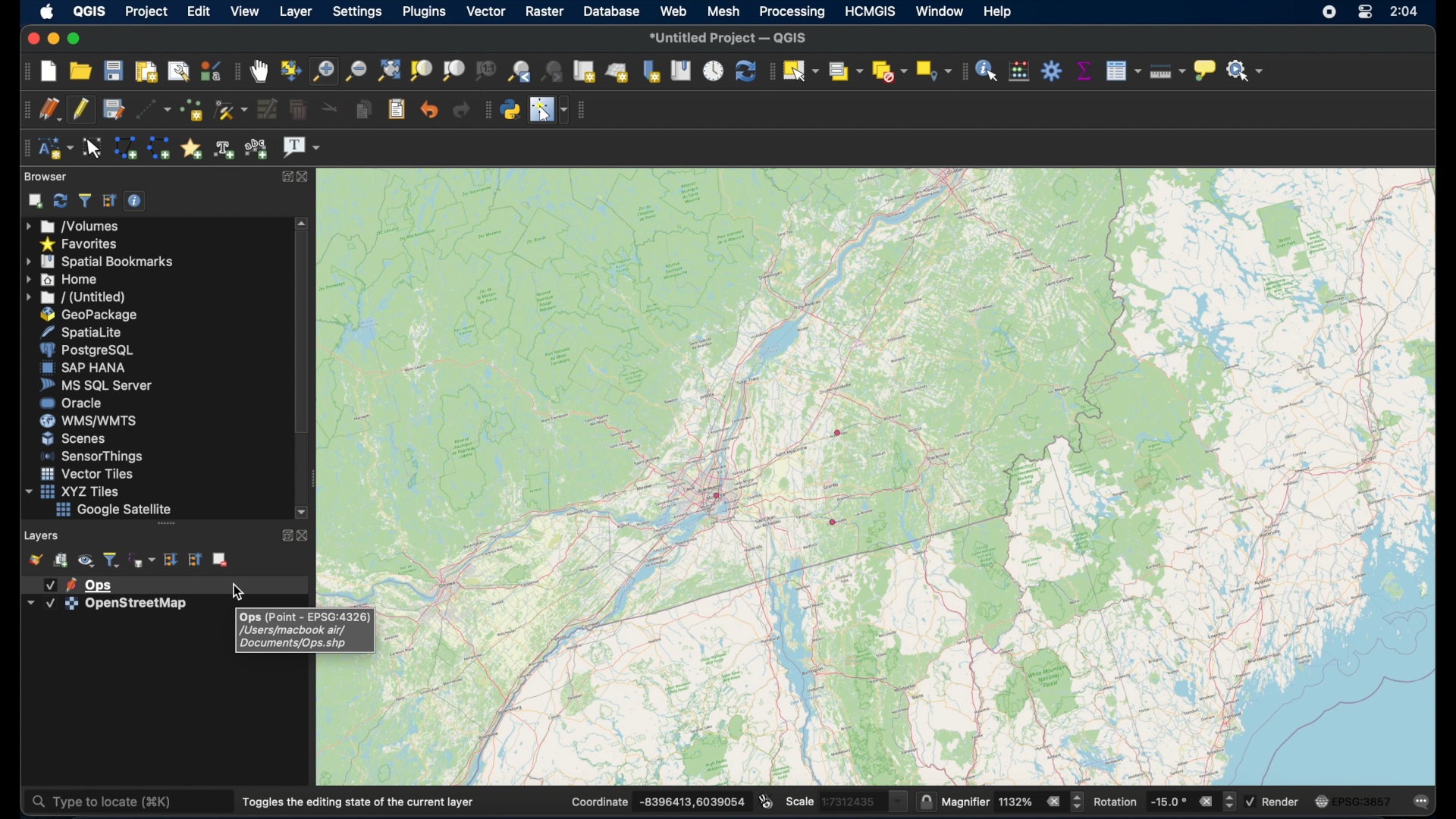 The image size is (1456, 819). What do you see at coordinates (1366, 13) in the screenshot?
I see `control center` at bounding box center [1366, 13].